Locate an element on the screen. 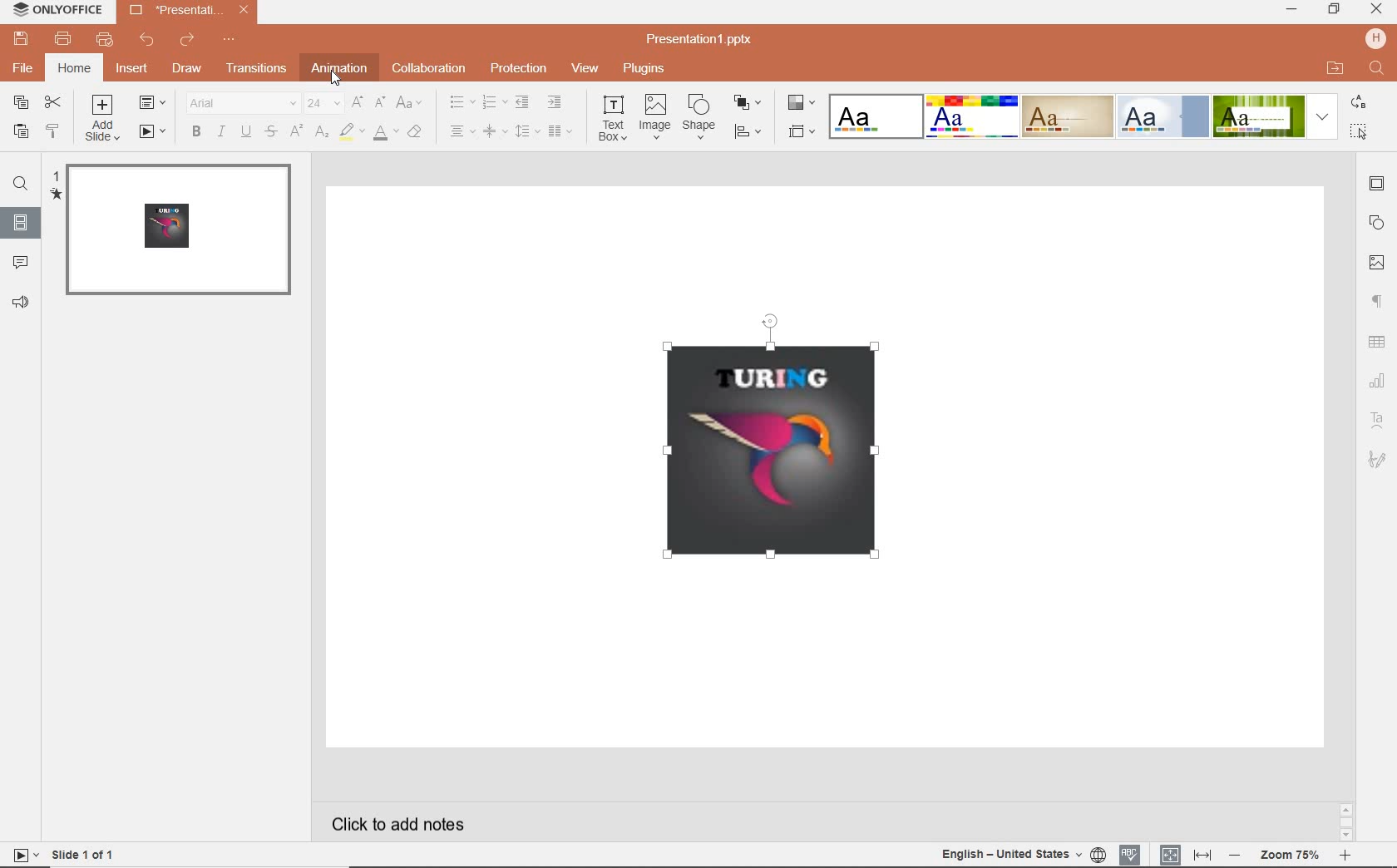 This screenshot has width=1397, height=868. open file location is located at coordinates (1335, 68).